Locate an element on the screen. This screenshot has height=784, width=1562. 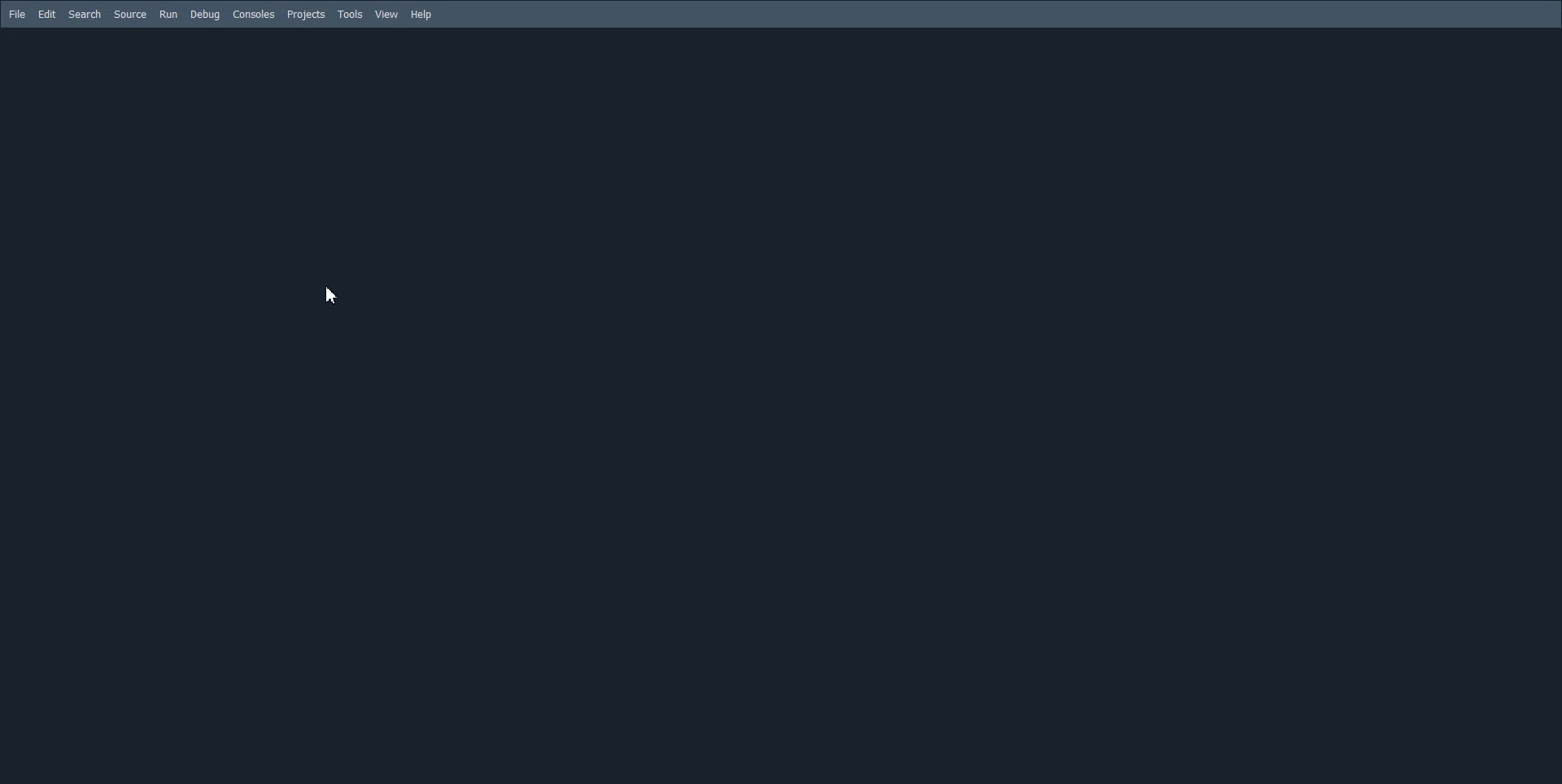
View is located at coordinates (386, 14).